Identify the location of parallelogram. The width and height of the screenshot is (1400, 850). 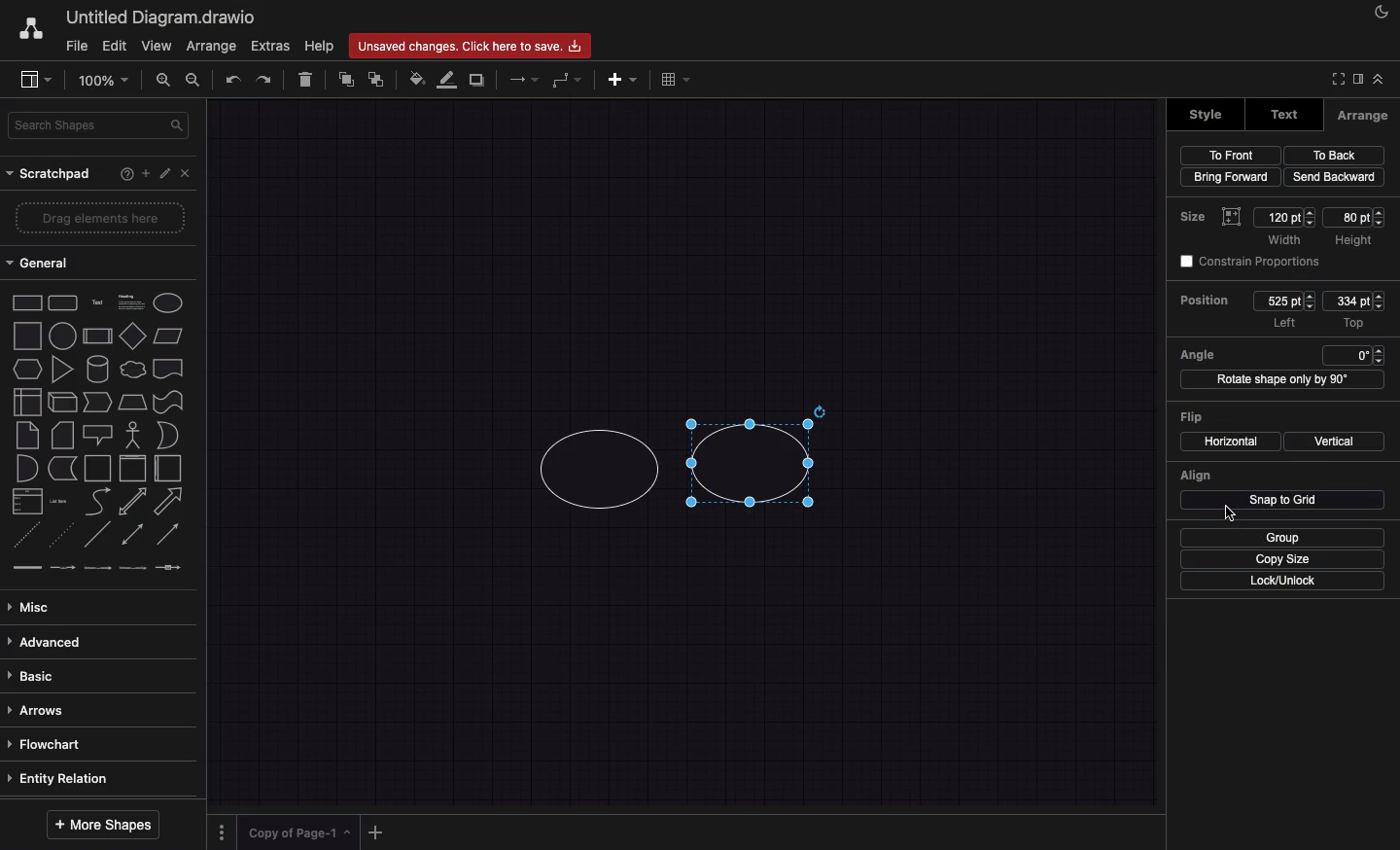
(170, 336).